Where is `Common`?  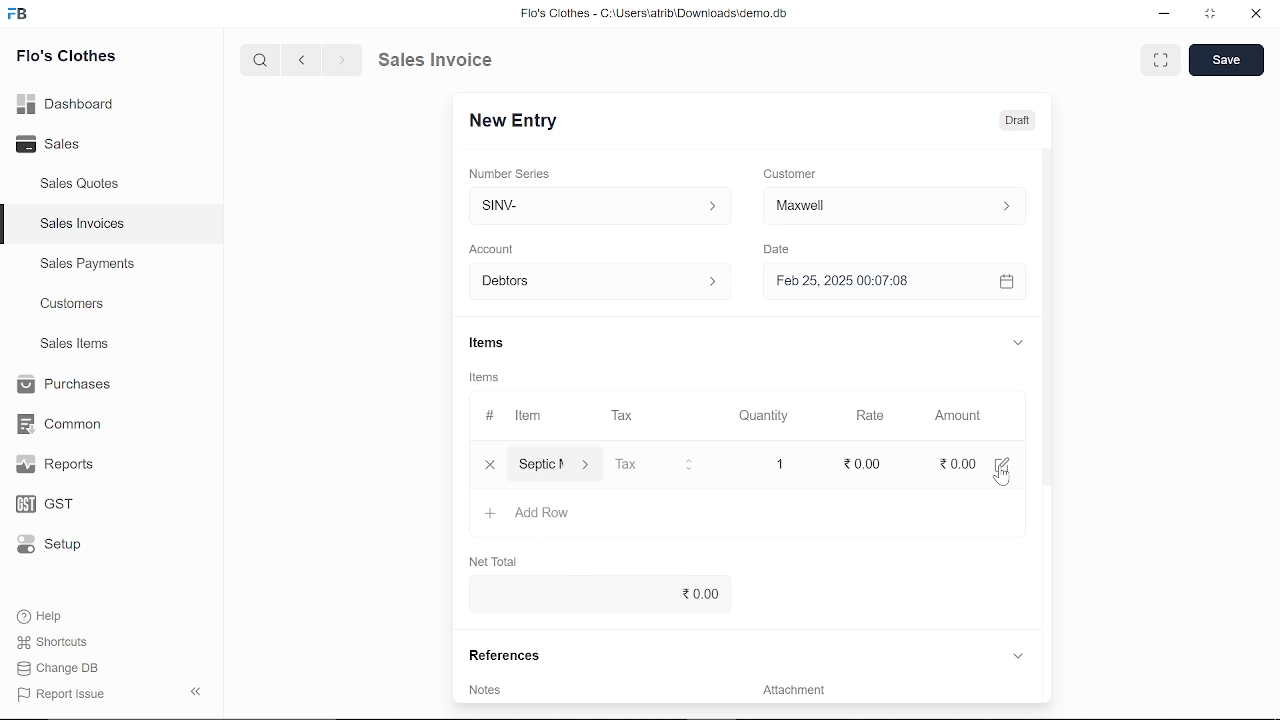
Common is located at coordinates (62, 424).